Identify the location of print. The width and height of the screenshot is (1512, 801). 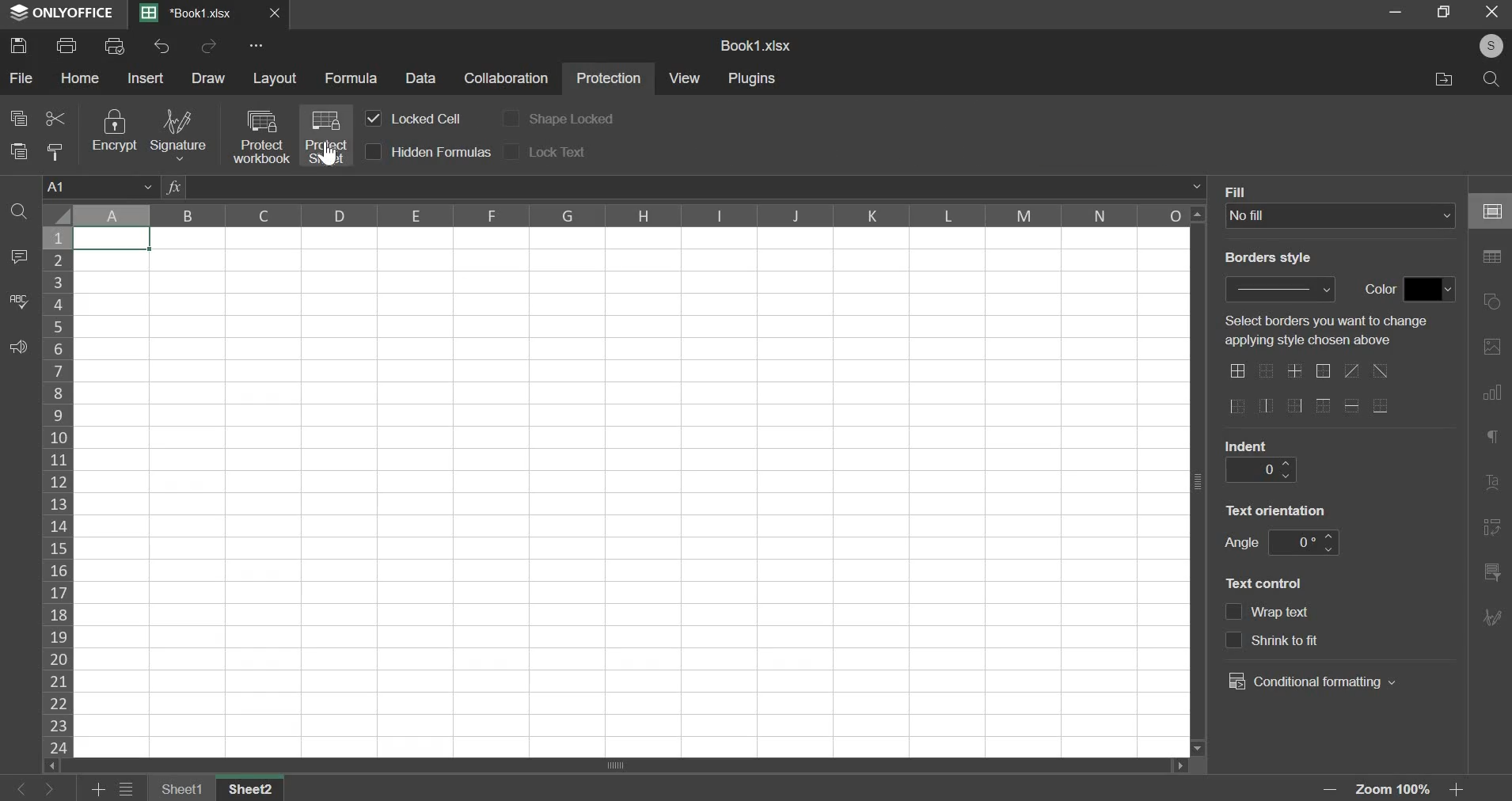
(67, 44).